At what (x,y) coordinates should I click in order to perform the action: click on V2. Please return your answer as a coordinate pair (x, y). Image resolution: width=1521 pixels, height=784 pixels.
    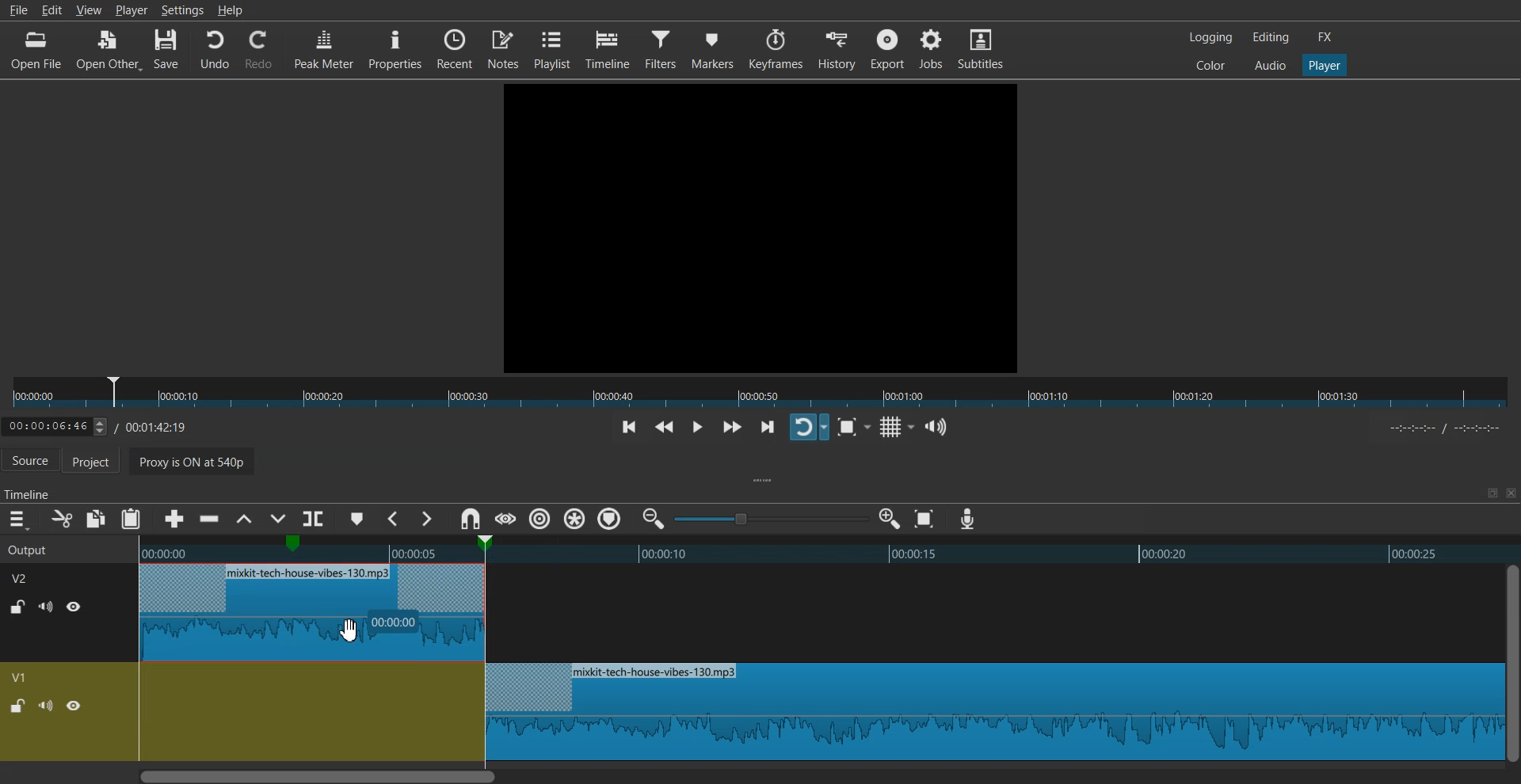
    Looking at the image, I should click on (28, 577).